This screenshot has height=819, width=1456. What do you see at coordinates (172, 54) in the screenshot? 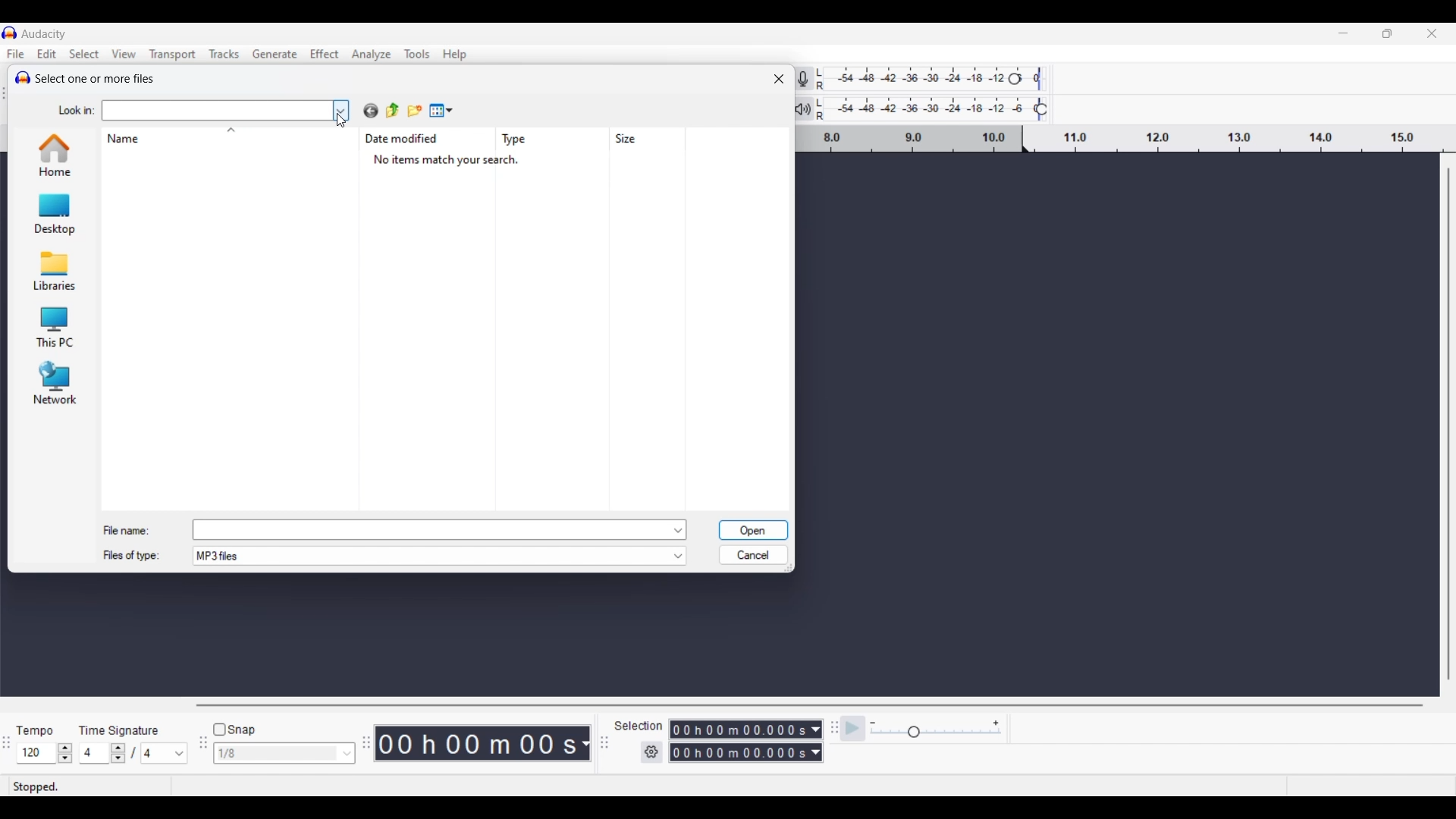
I see `Transport menu` at bounding box center [172, 54].